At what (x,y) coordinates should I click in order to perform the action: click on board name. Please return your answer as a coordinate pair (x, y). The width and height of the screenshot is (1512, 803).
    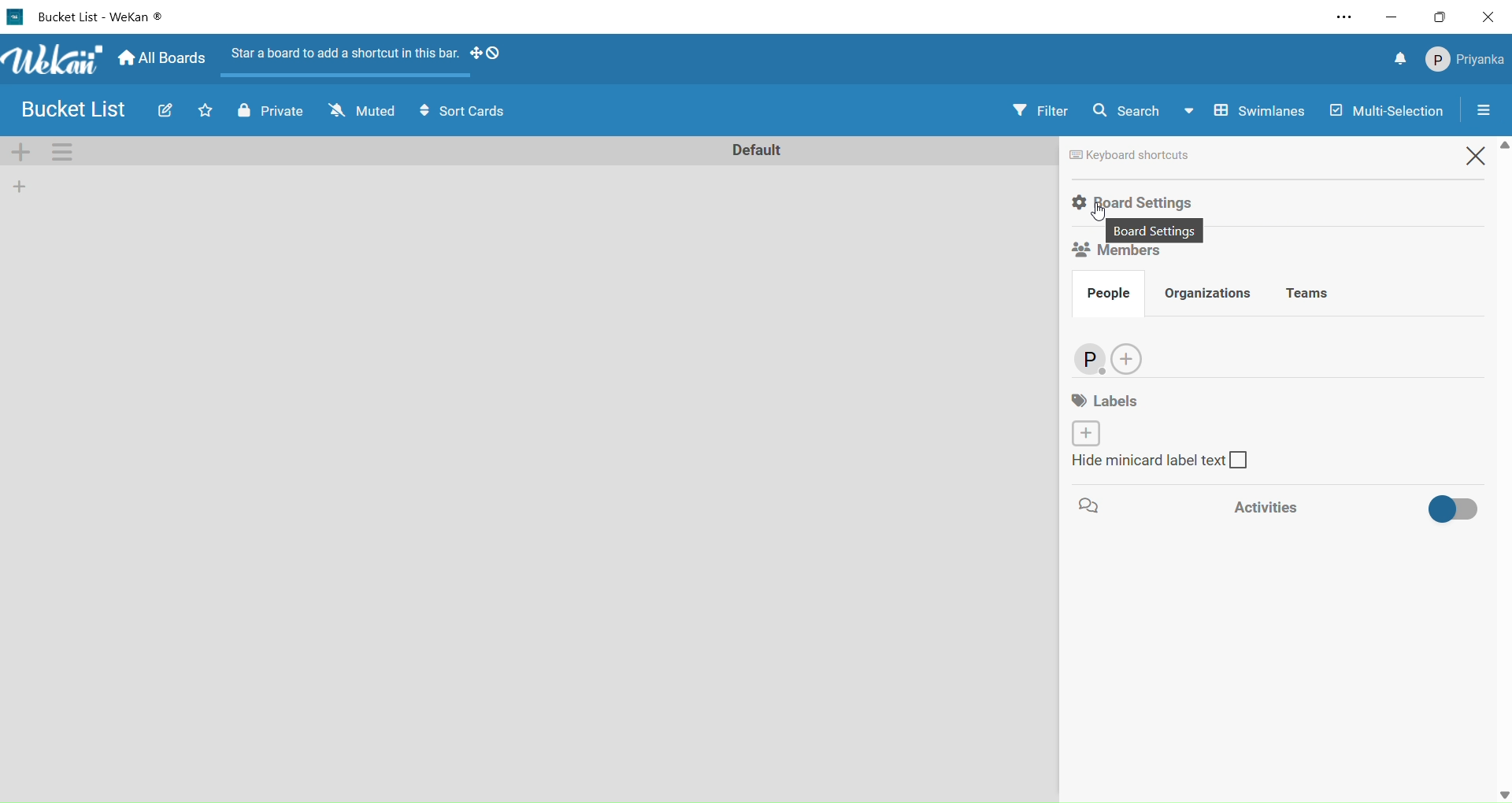
    Looking at the image, I should click on (78, 109).